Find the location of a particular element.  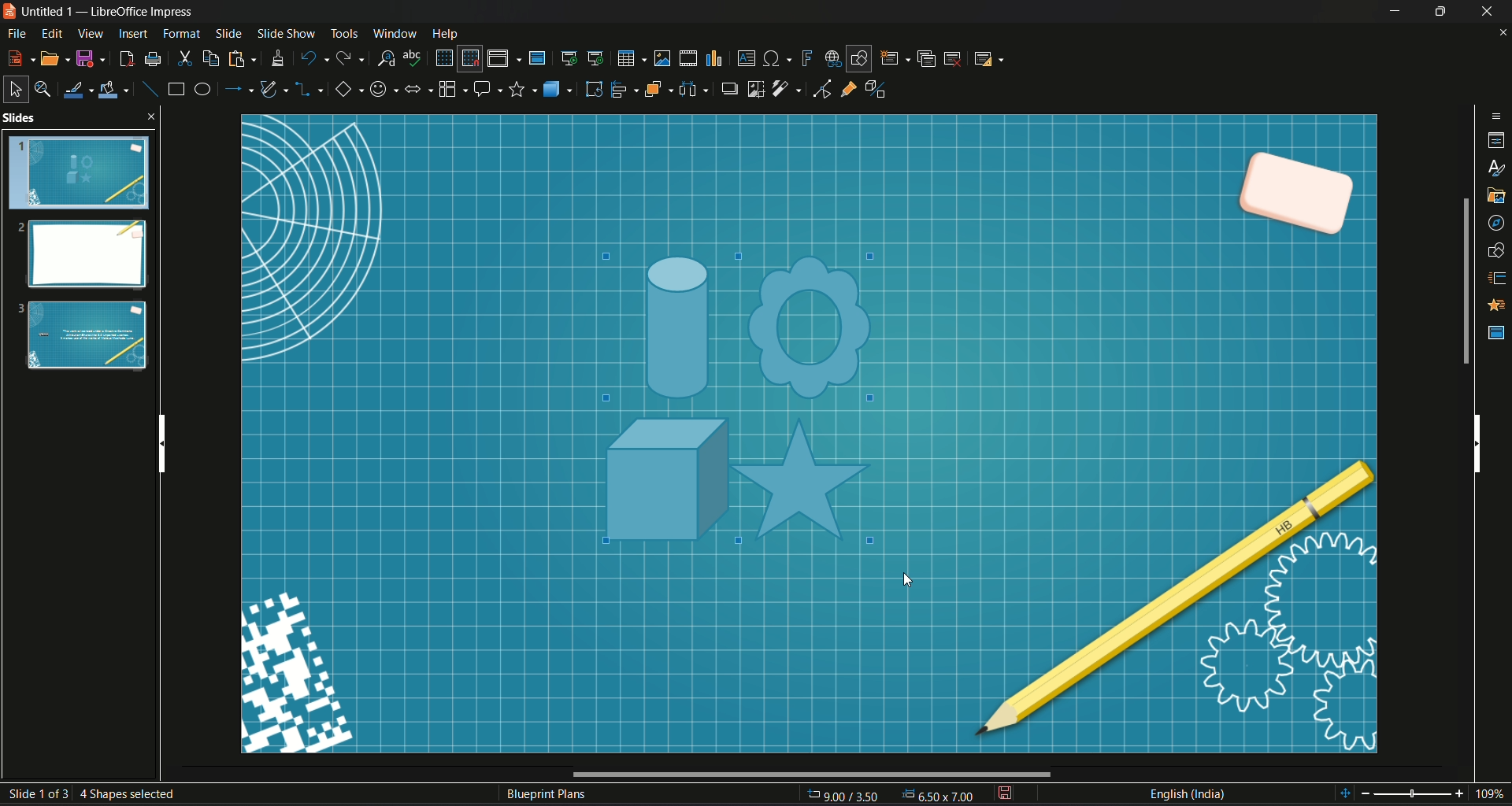

shadow is located at coordinates (727, 87).